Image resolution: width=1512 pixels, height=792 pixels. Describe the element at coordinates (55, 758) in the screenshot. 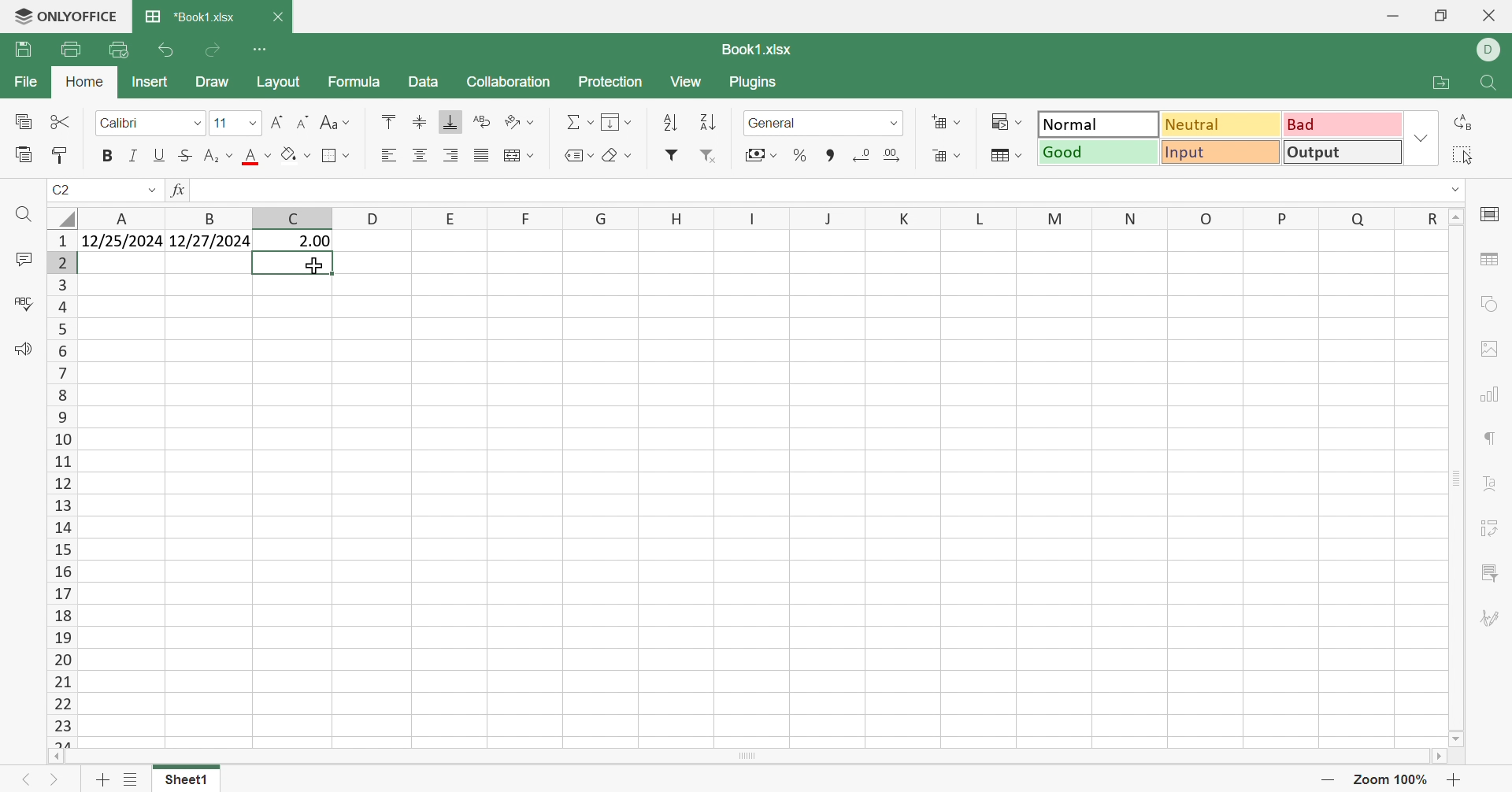

I see `Scroll Left` at that location.